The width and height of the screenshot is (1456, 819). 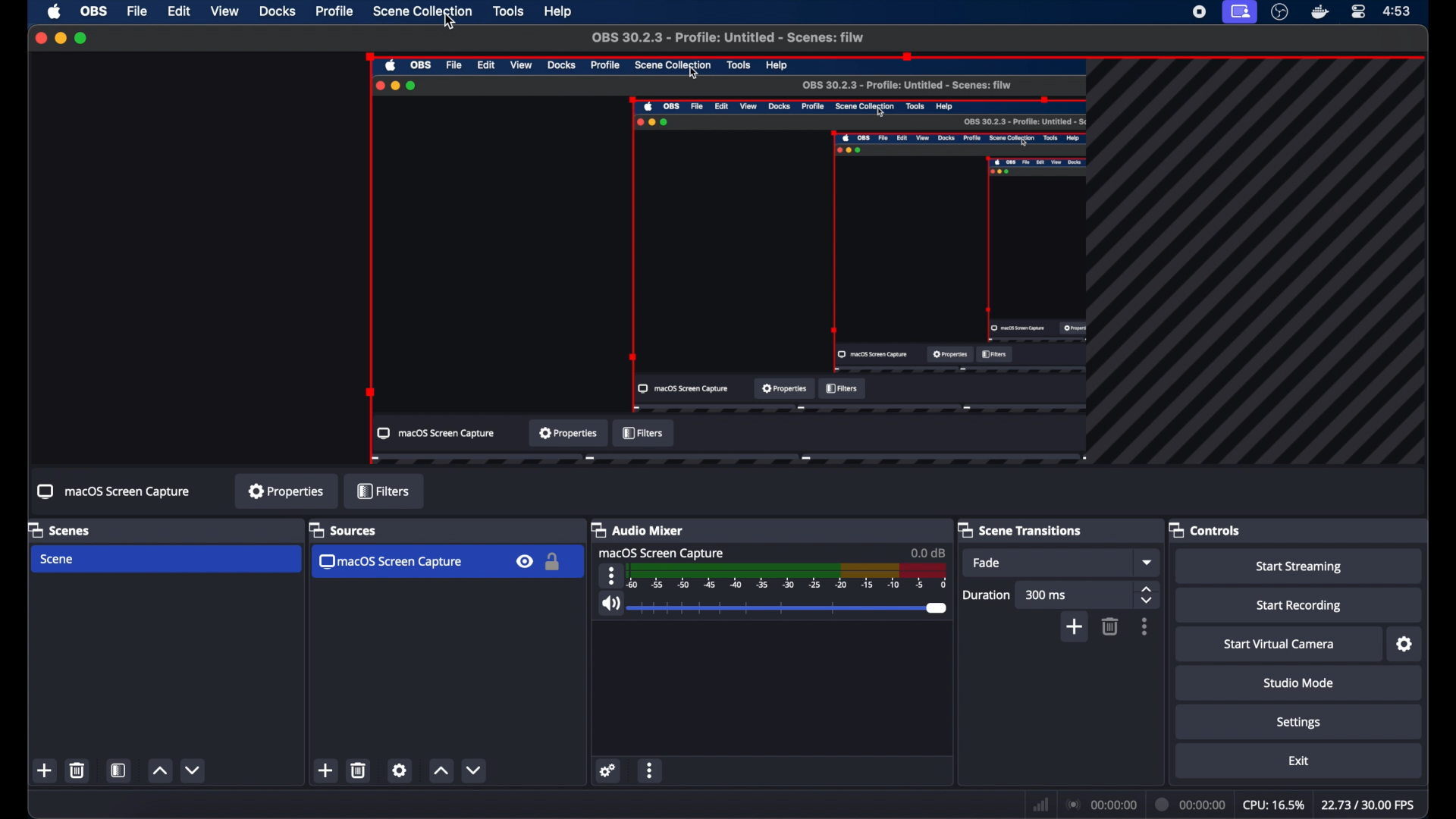 I want to click on open scene filter, so click(x=118, y=771).